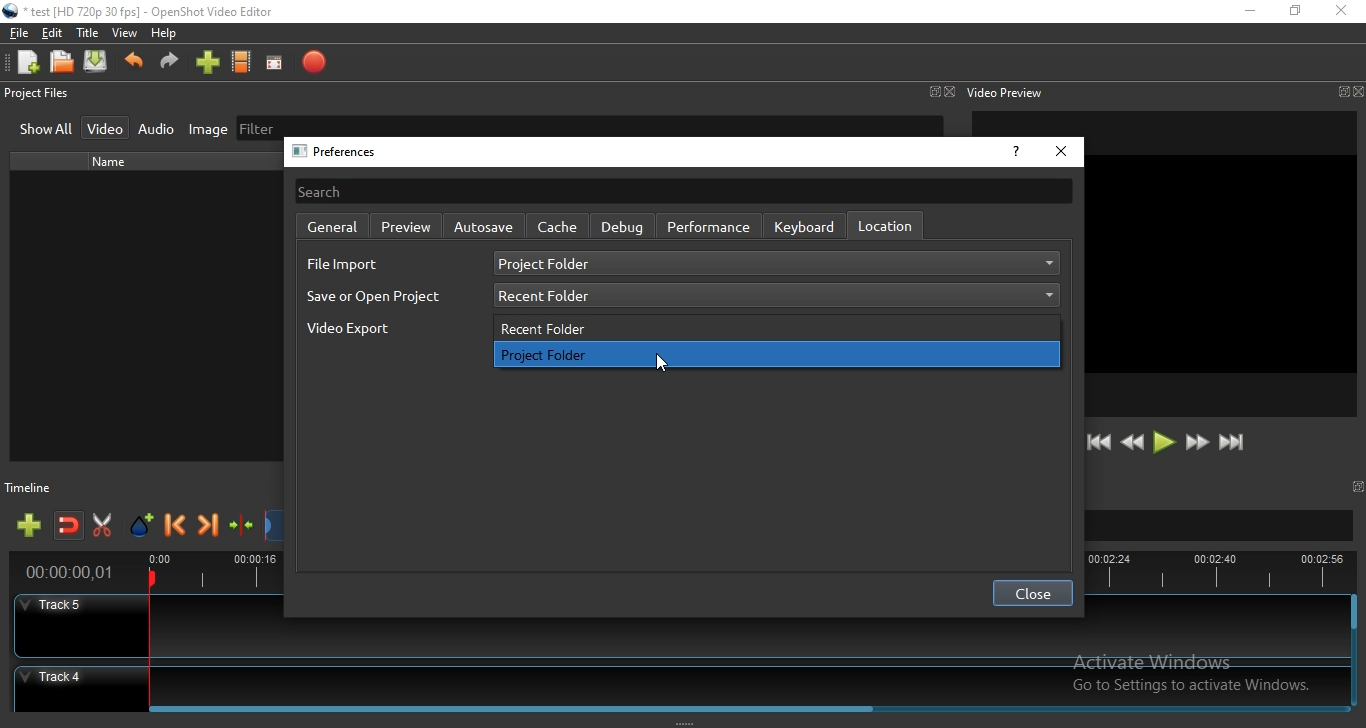 The width and height of the screenshot is (1366, 728). I want to click on Autosave, so click(483, 226).